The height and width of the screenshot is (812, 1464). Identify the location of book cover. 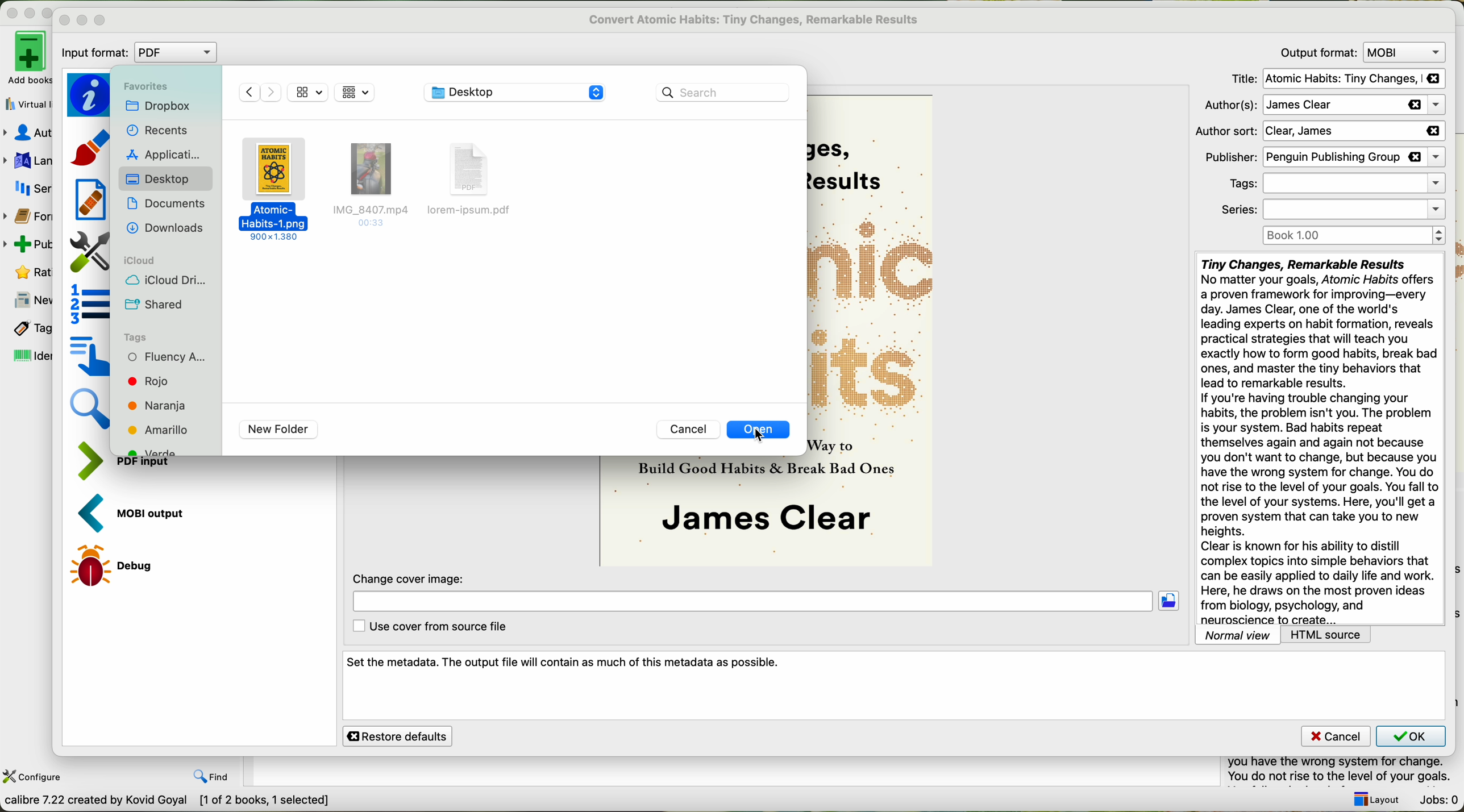
(704, 512).